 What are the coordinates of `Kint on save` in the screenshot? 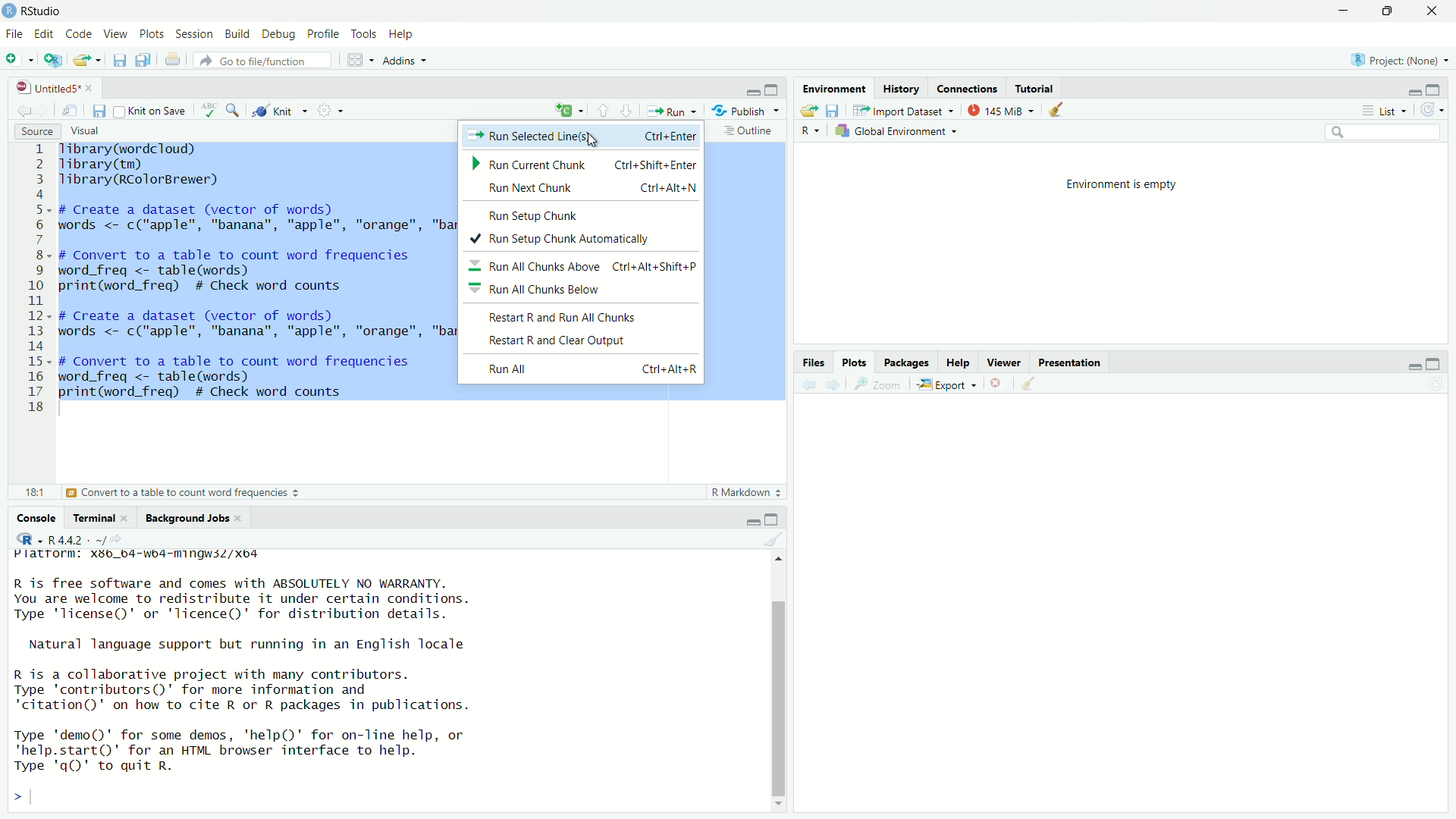 It's located at (149, 111).